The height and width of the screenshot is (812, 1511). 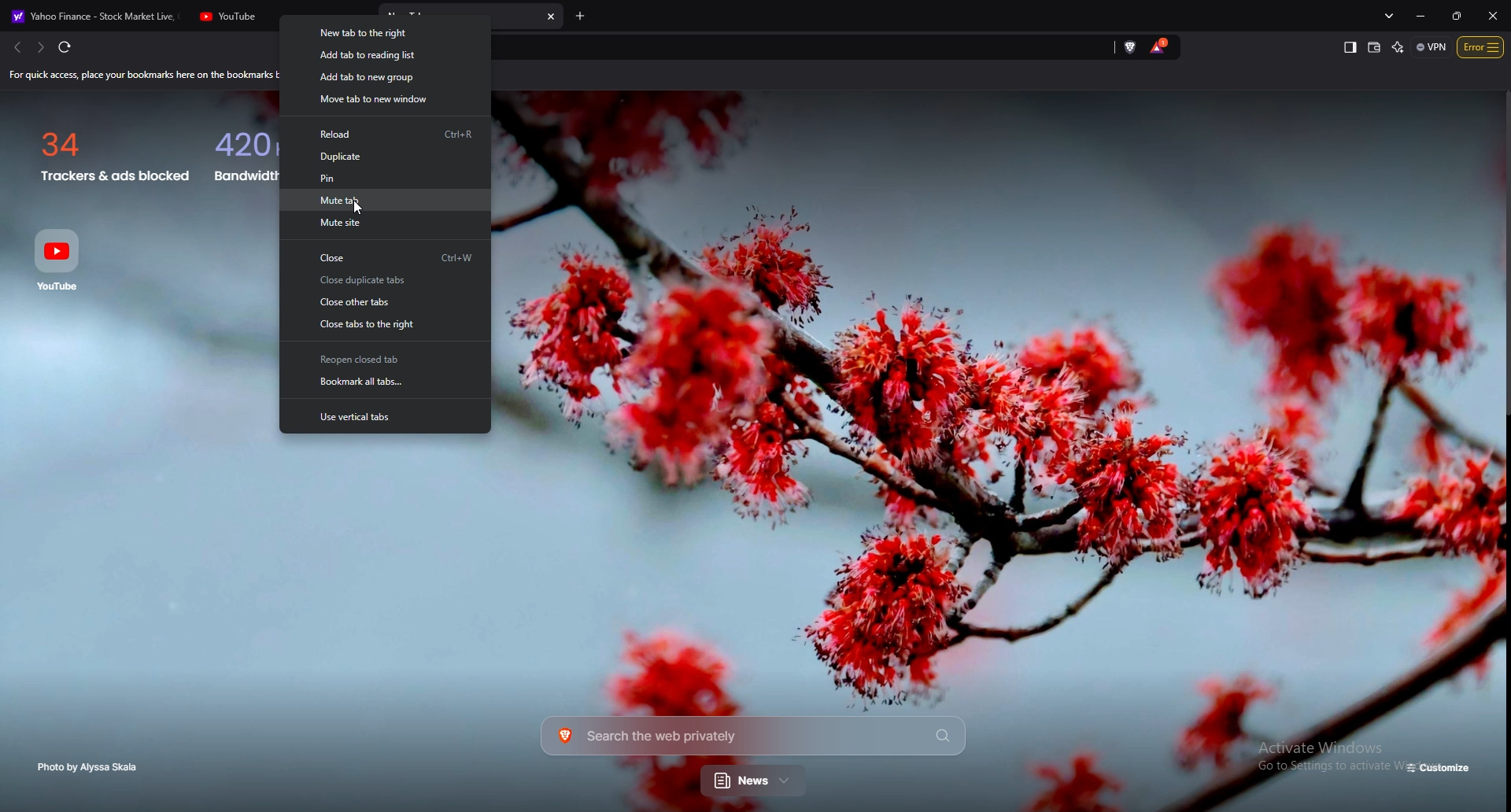 What do you see at coordinates (752, 735) in the screenshot?
I see ` Search the web privately` at bounding box center [752, 735].